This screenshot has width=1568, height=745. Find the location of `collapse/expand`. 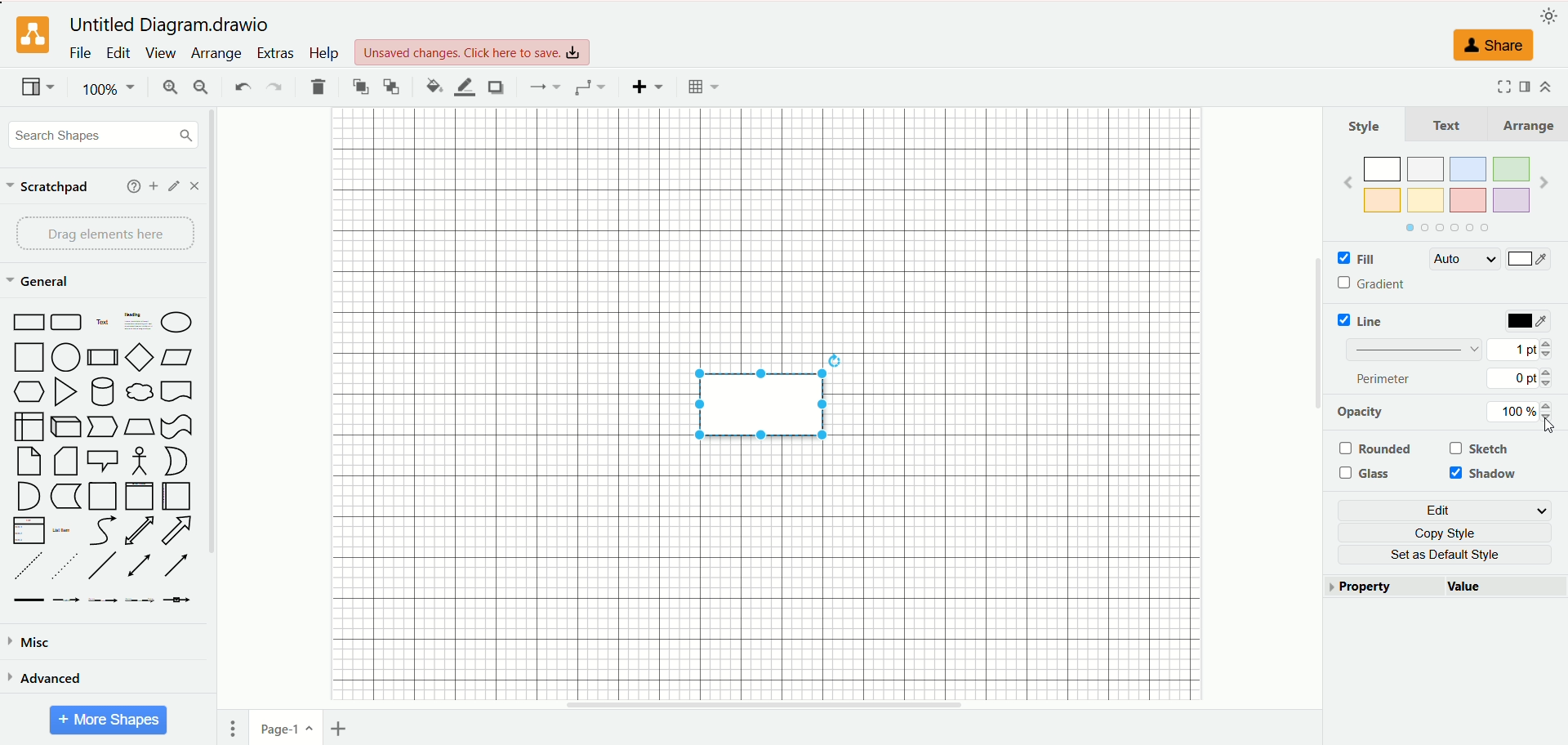

collapse/expand is located at coordinates (1545, 87).